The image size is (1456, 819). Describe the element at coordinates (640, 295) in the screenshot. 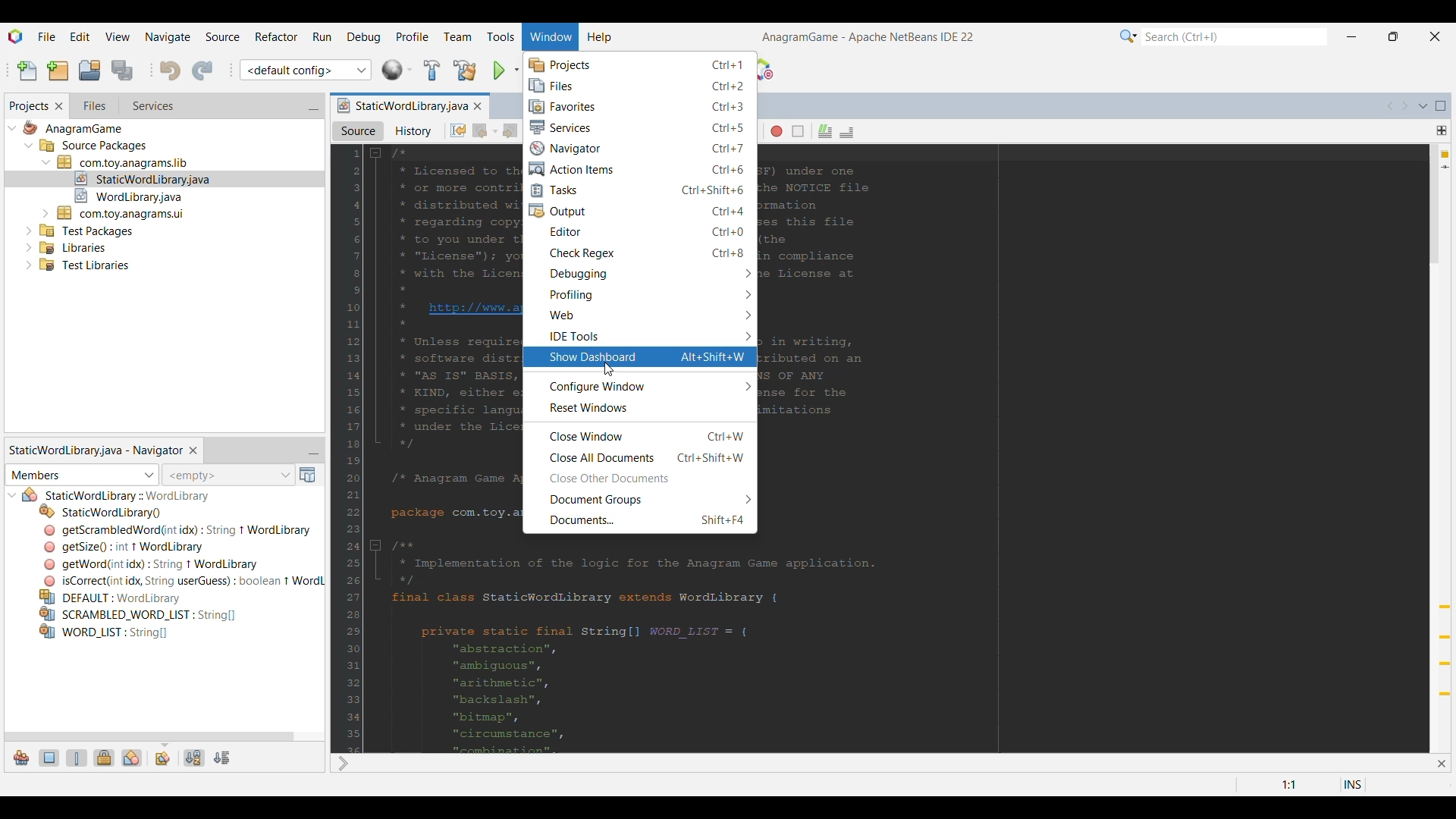

I see `Profiling options` at that location.